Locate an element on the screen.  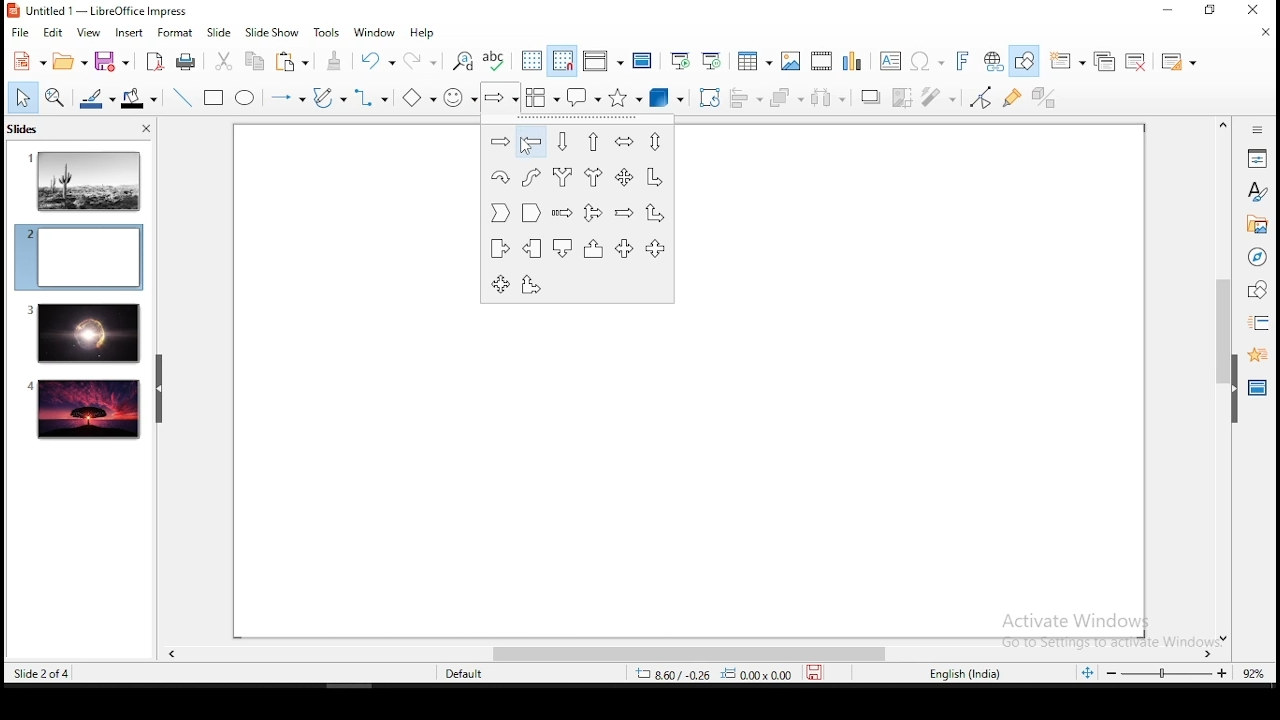
styles is located at coordinates (1257, 191).